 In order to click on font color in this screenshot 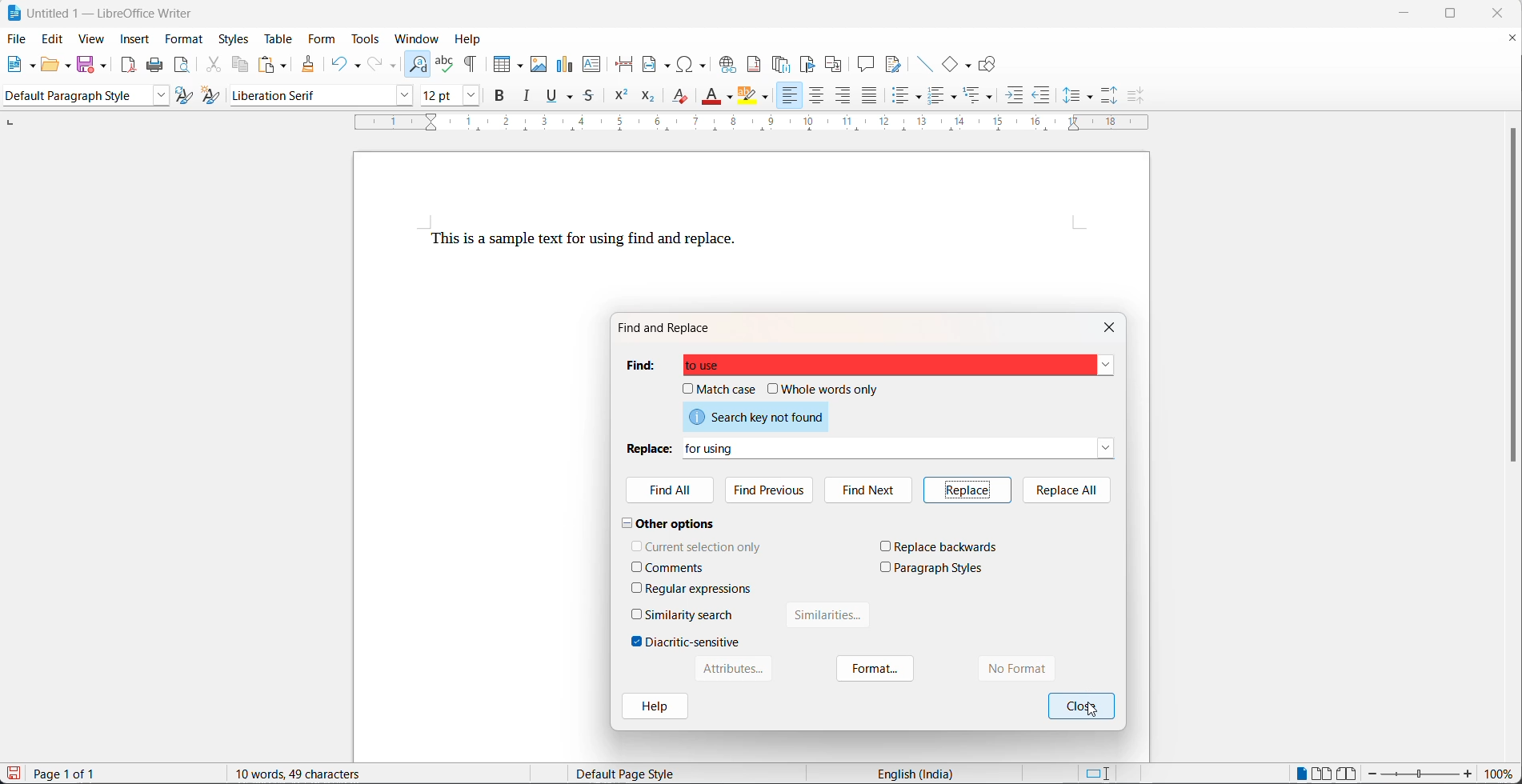, I will do `click(730, 98)`.